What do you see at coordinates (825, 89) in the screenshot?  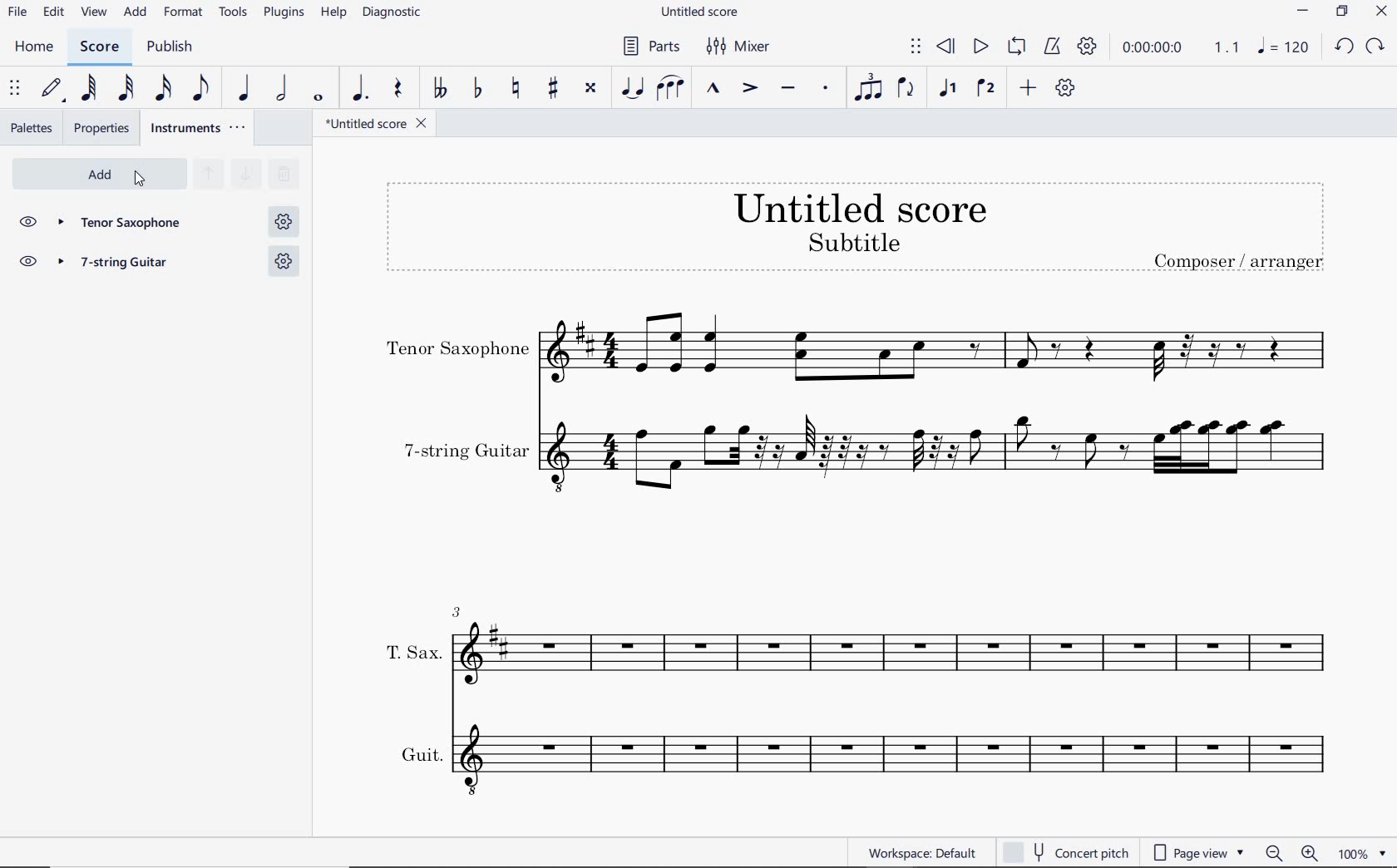 I see `STACCATO` at bounding box center [825, 89].